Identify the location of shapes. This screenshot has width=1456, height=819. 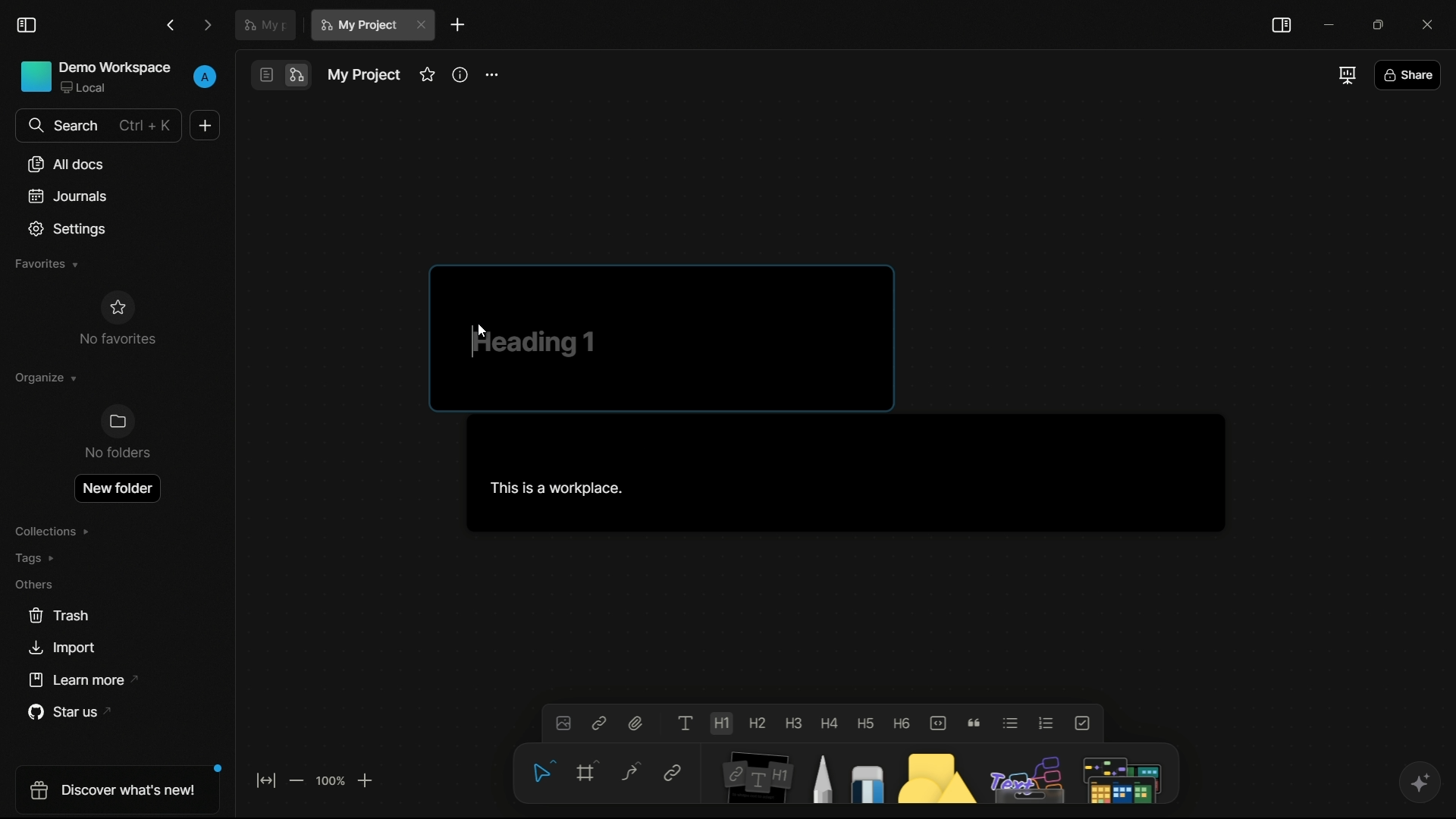
(934, 772).